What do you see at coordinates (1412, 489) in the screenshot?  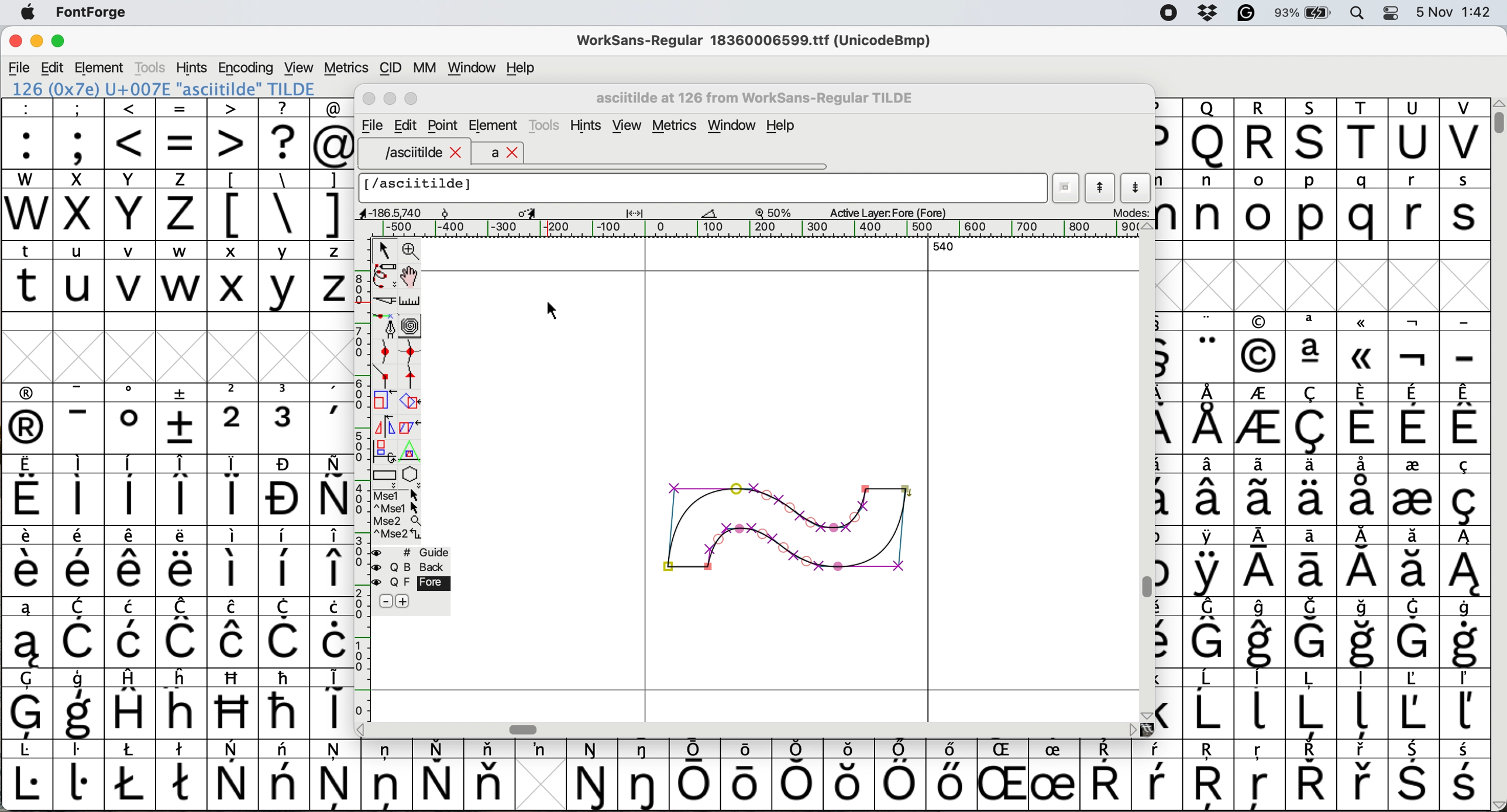 I see `symbol` at bounding box center [1412, 489].